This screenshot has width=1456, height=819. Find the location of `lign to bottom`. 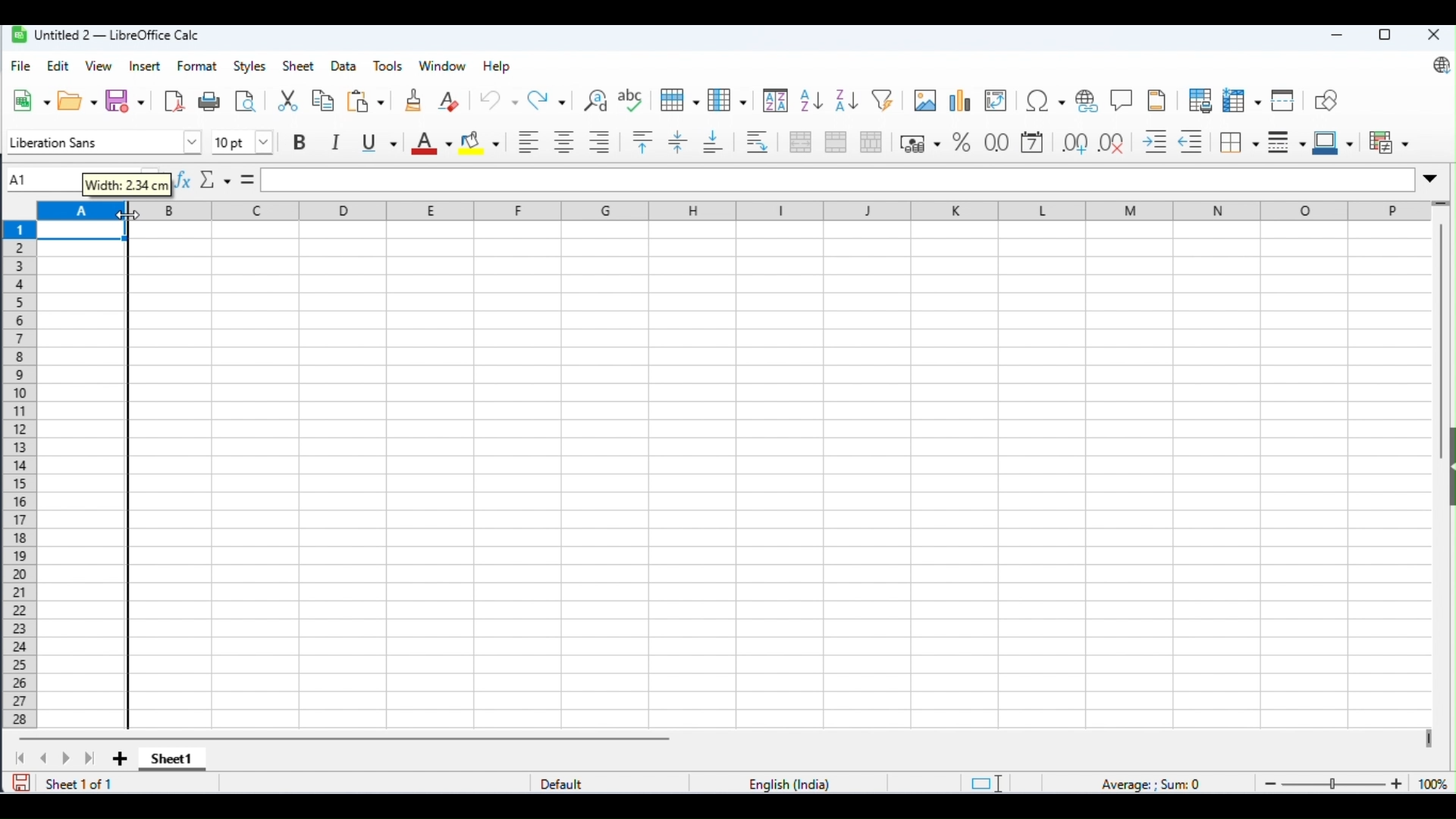

lign to bottom is located at coordinates (714, 140).